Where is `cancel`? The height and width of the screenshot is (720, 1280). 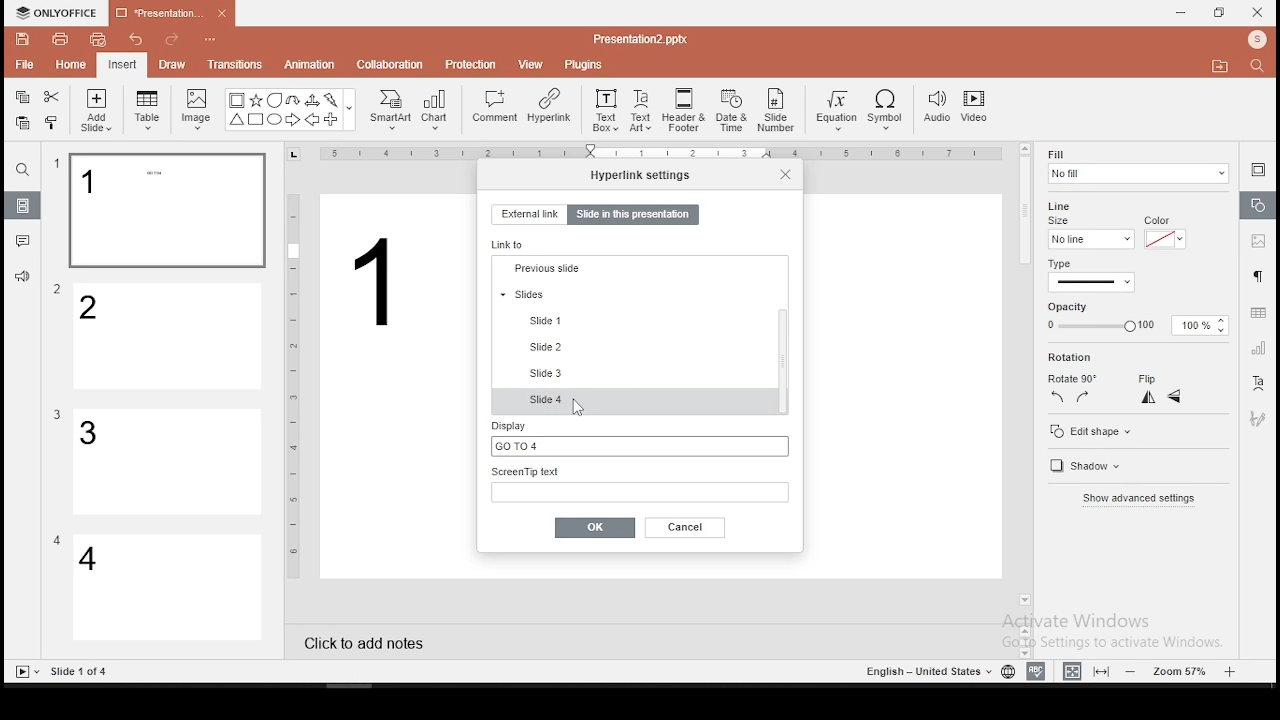
cancel is located at coordinates (686, 527).